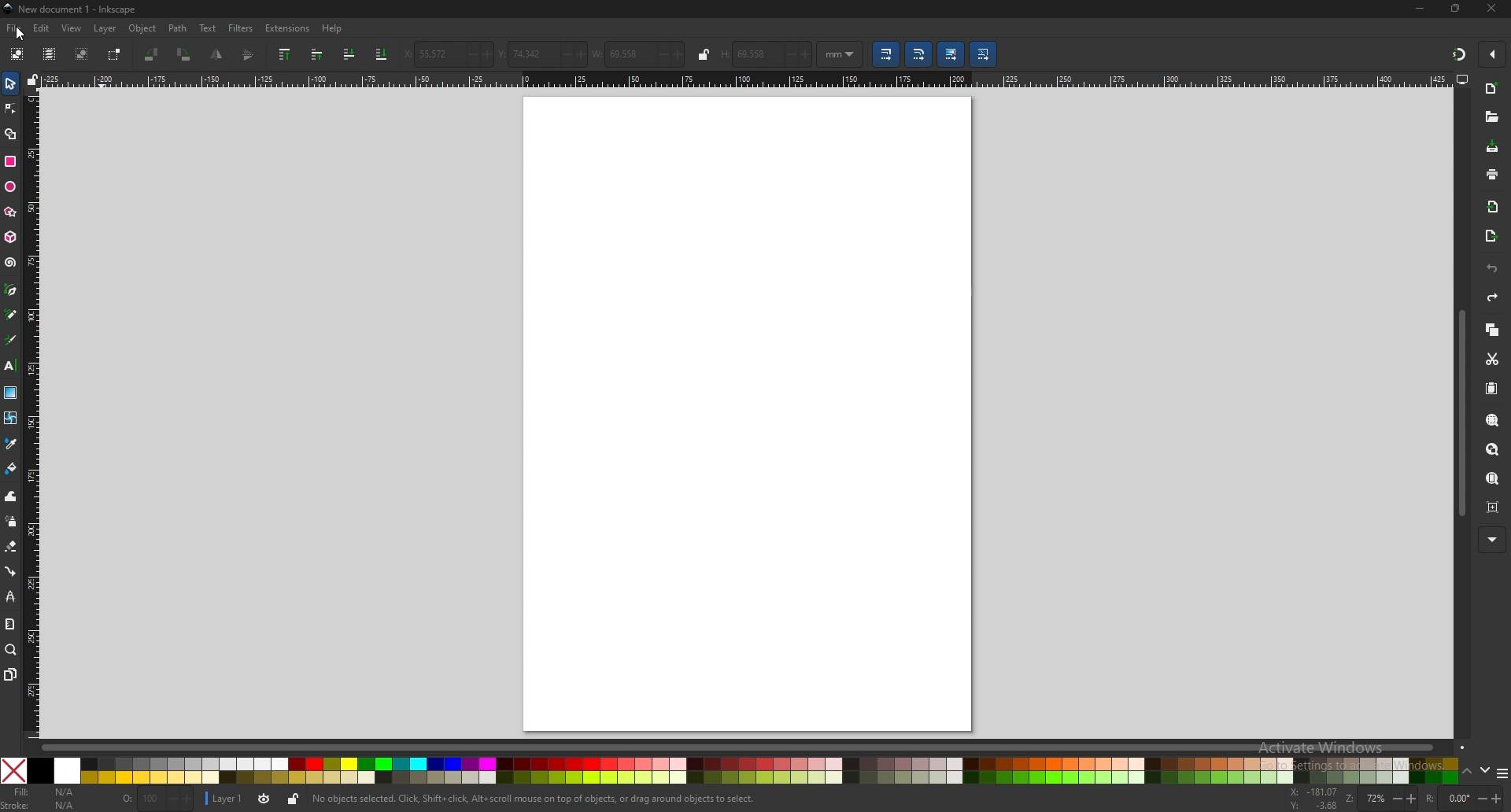 This screenshot has height=812, width=1511. What do you see at coordinates (10, 186) in the screenshot?
I see `ellipse` at bounding box center [10, 186].